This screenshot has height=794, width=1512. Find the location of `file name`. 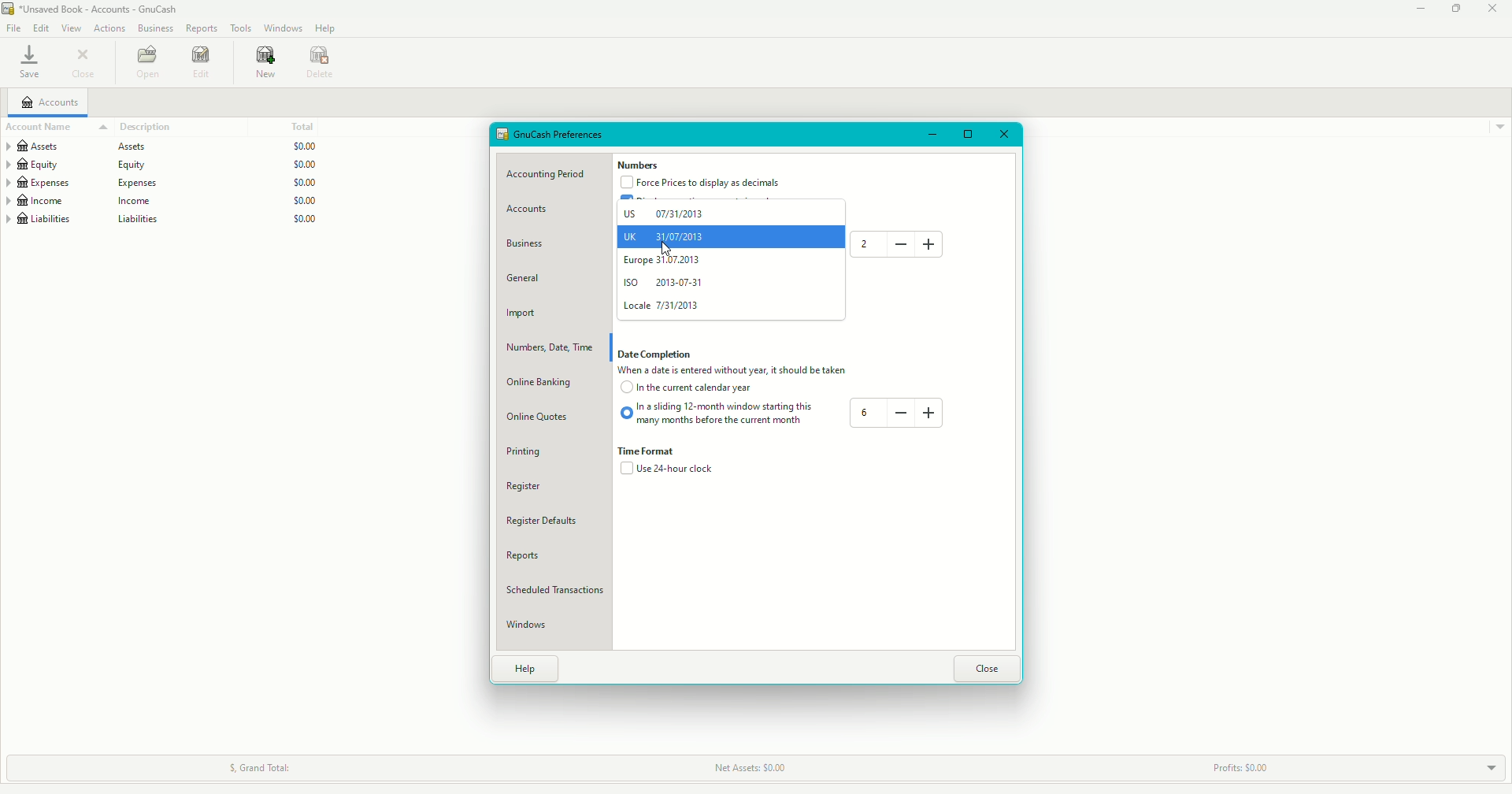

file name is located at coordinates (102, 9).